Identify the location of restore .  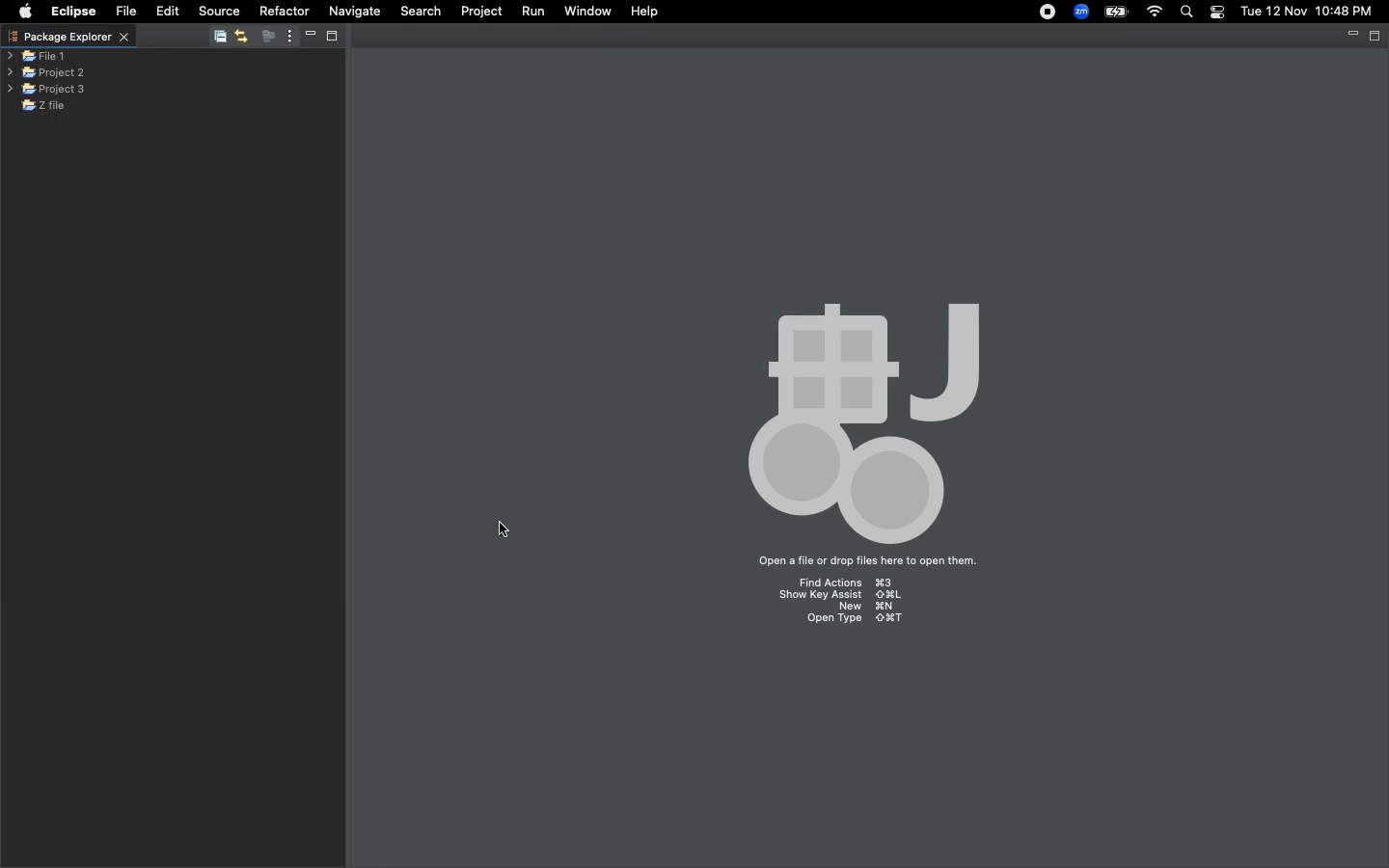
(1374, 38).